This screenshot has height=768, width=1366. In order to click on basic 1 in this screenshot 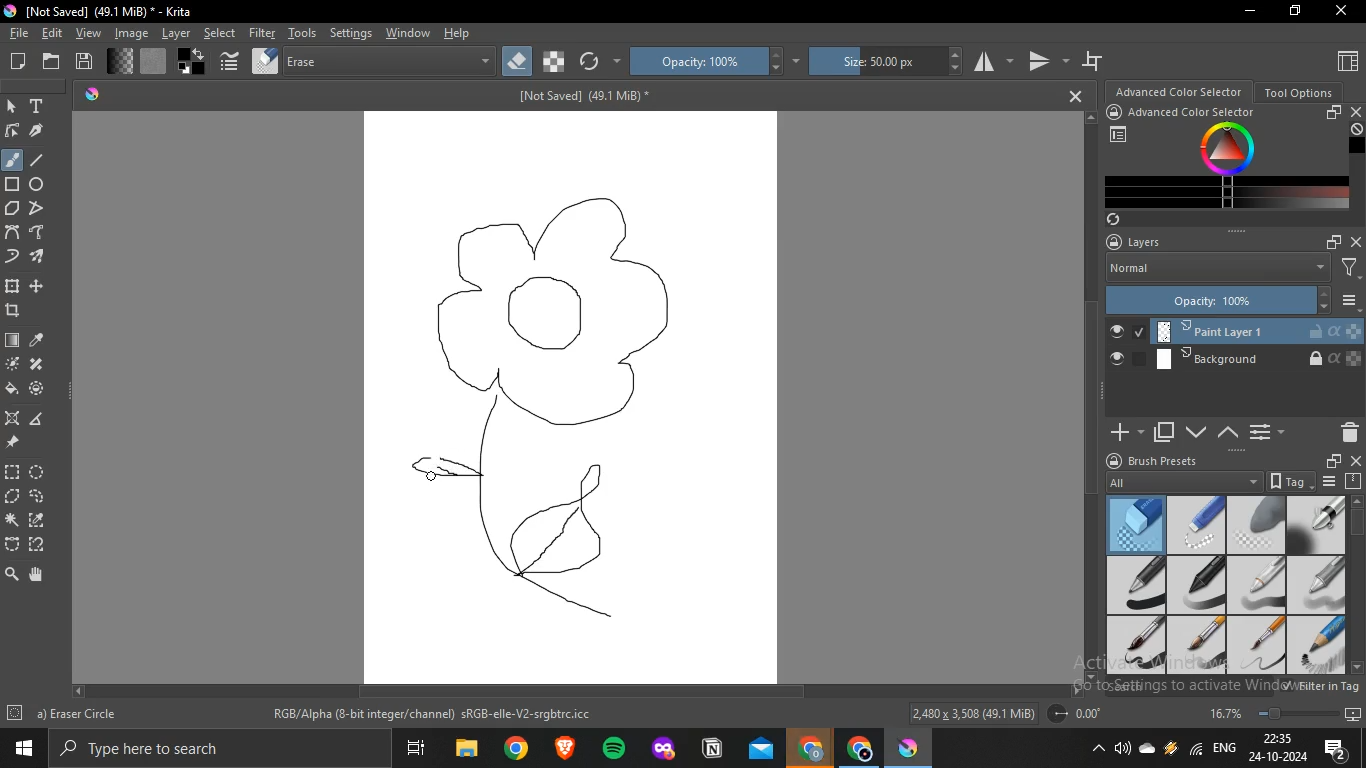, I will do `click(1137, 585)`.